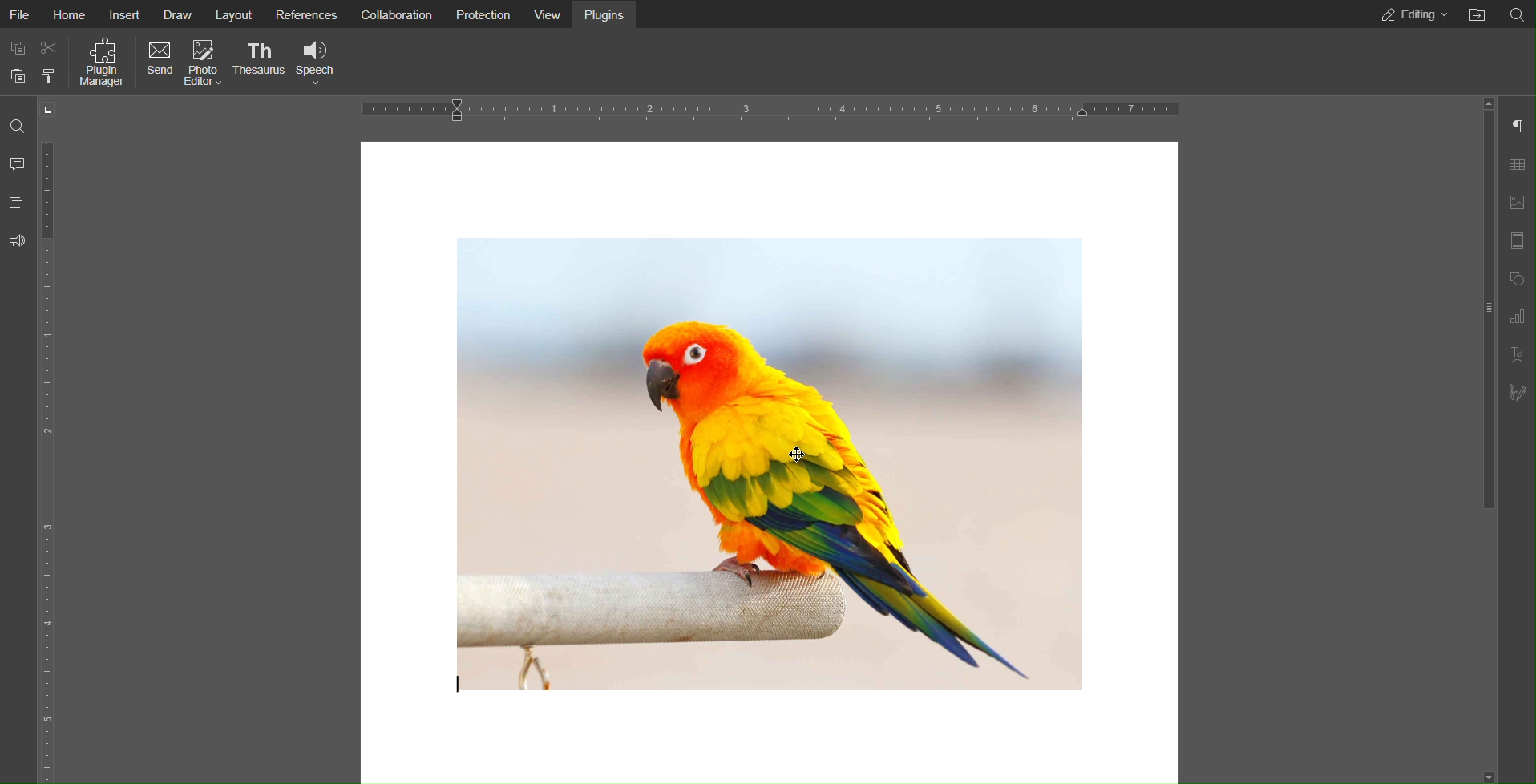 The image size is (1536, 784). What do you see at coordinates (1516, 204) in the screenshot?
I see `Image Settings` at bounding box center [1516, 204].